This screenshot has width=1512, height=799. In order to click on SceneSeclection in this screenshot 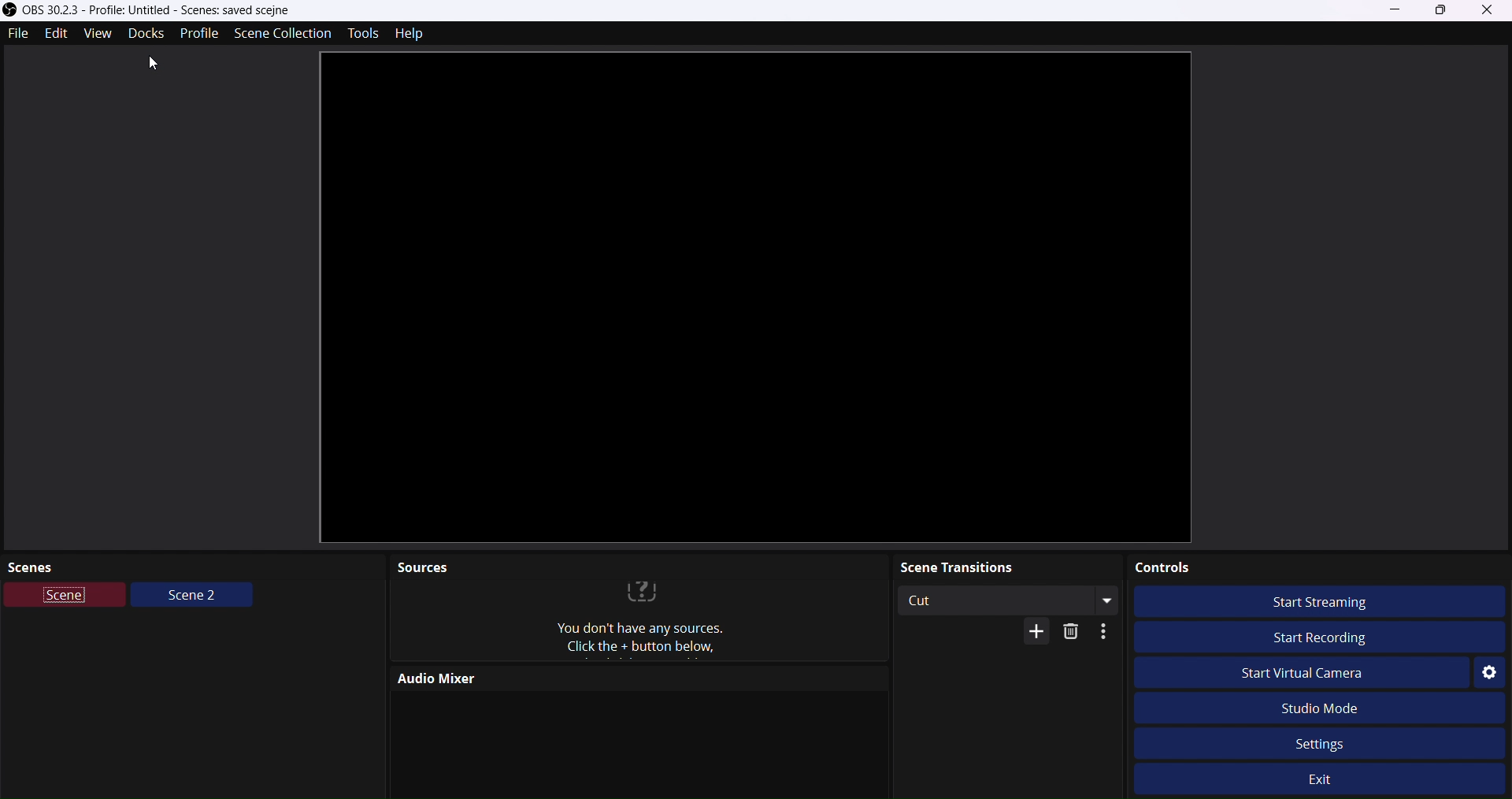, I will do `click(281, 33)`.